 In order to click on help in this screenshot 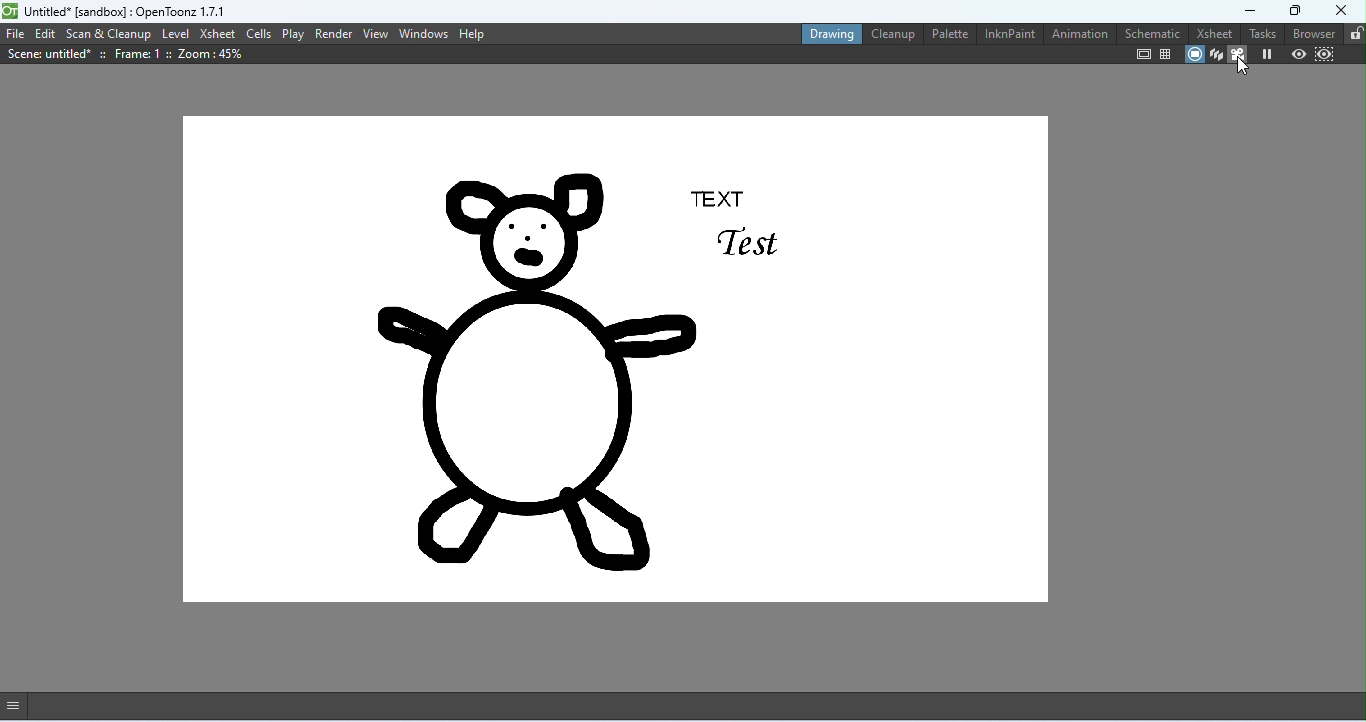, I will do `click(472, 33)`.